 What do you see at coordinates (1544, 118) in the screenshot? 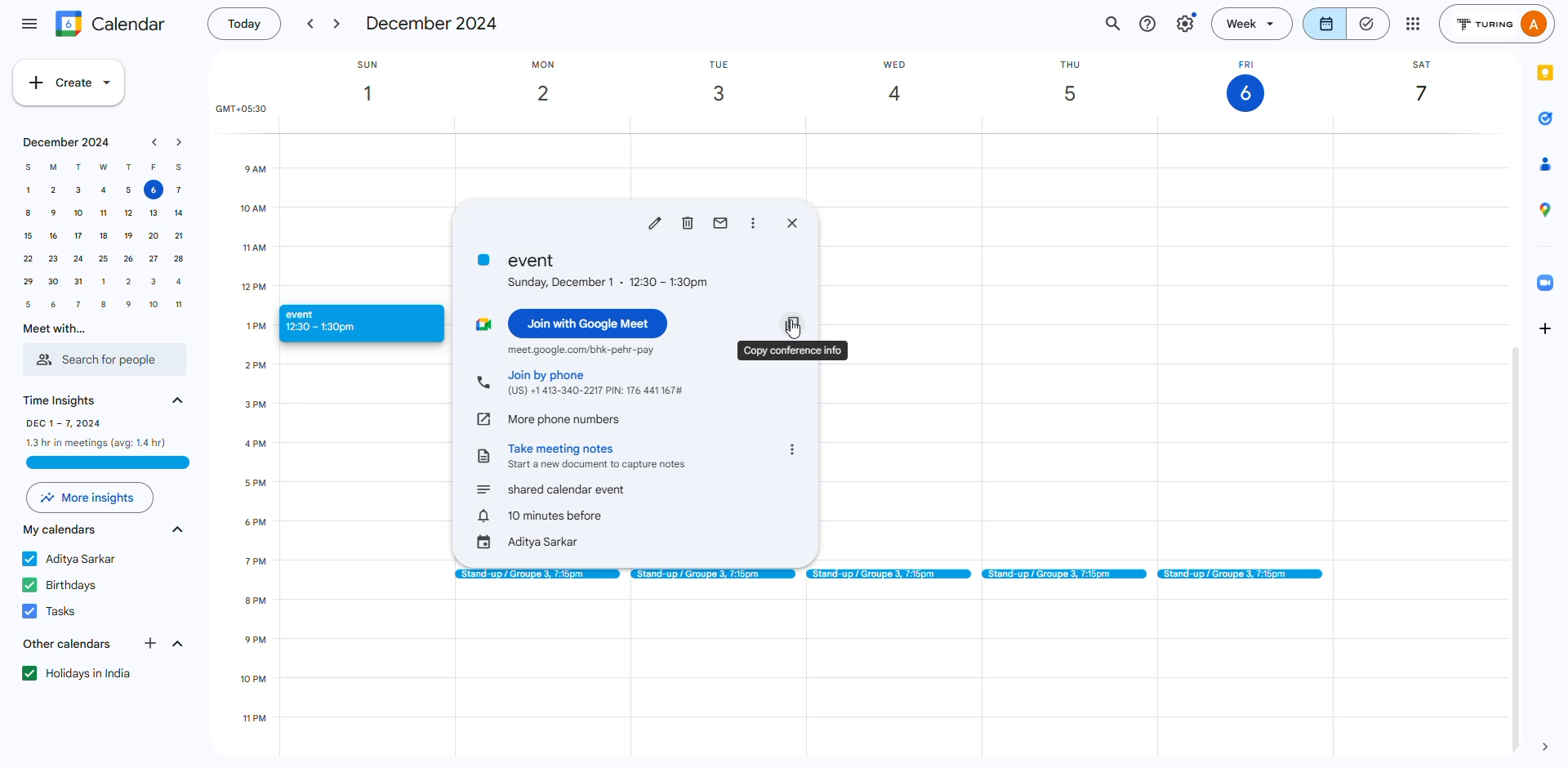
I see `app` at bounding box center [1544, 118].